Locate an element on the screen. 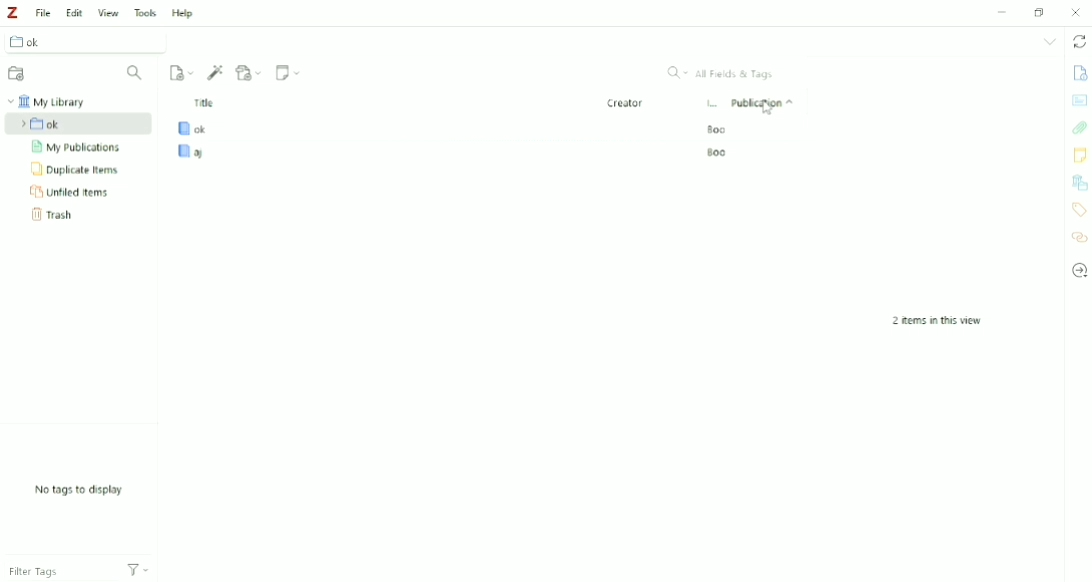 This screenshot has width=1092, height=582. View is located at coordinates (109, 13).